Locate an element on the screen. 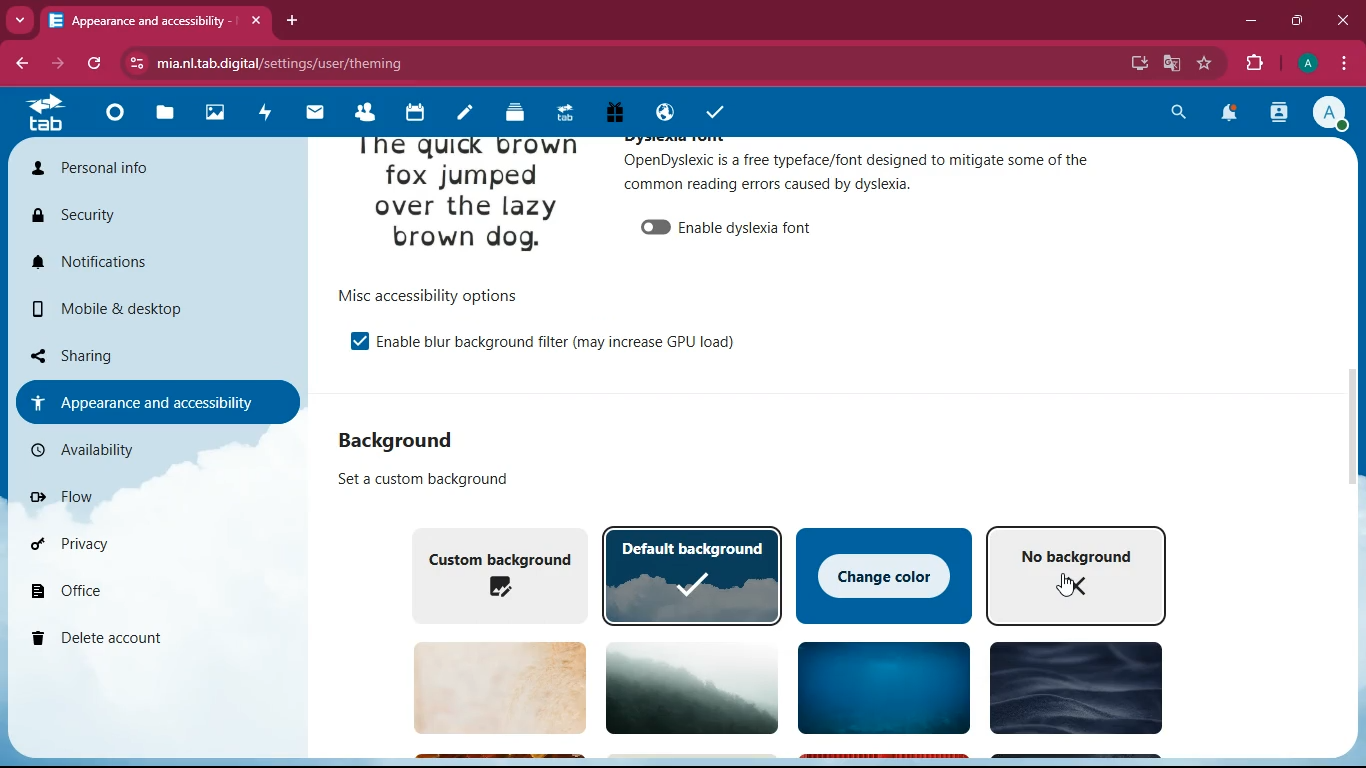  menu is located at coordinates (1344, 61).